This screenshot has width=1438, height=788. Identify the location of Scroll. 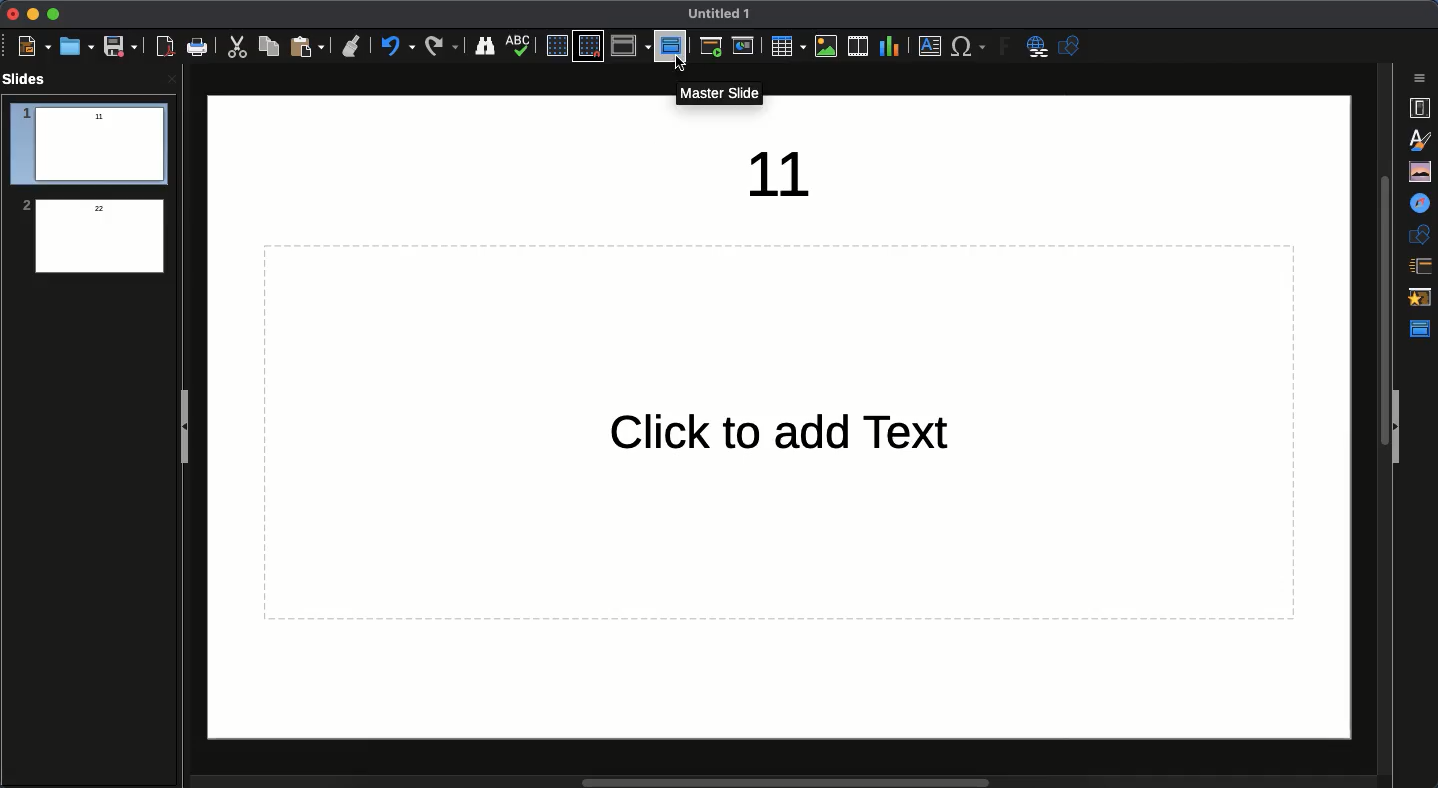
(1379, 415).